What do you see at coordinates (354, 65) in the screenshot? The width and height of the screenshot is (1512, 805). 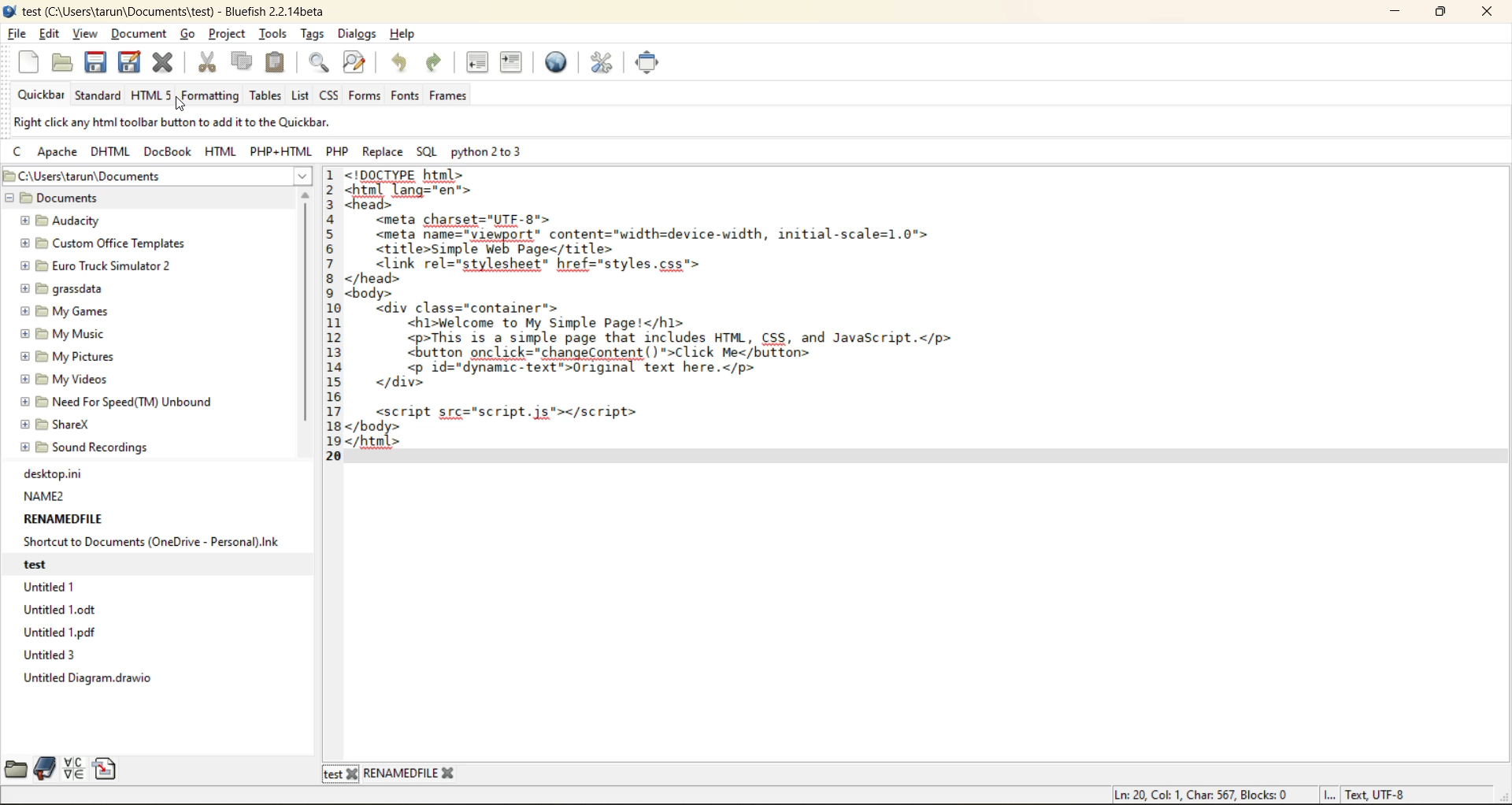 I see `find and replace` at bounding box center [354, 65].